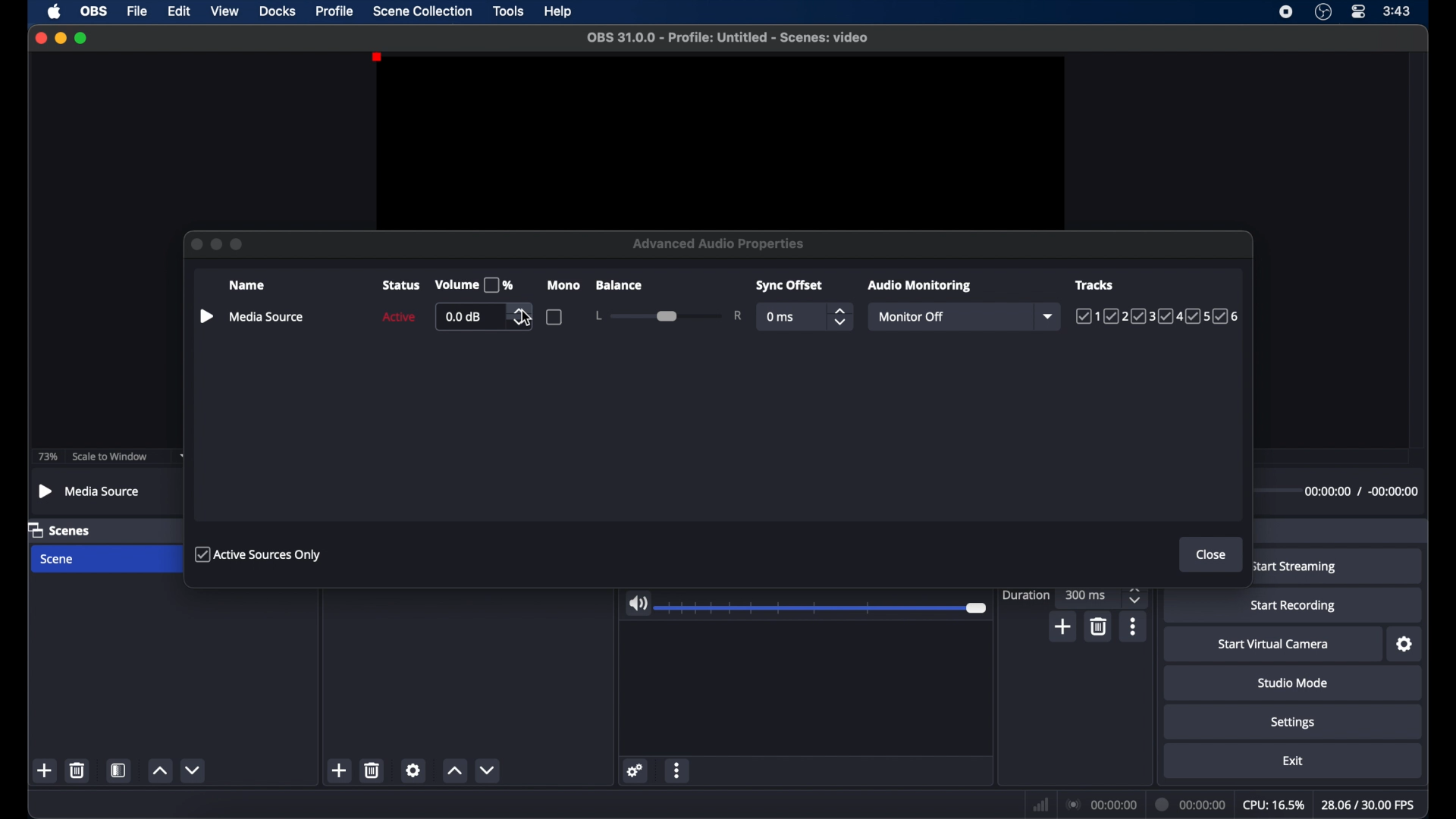  Describe the element at coordinates (1285, 11) in the screenshot. I see `screen recorder icon` at that location.